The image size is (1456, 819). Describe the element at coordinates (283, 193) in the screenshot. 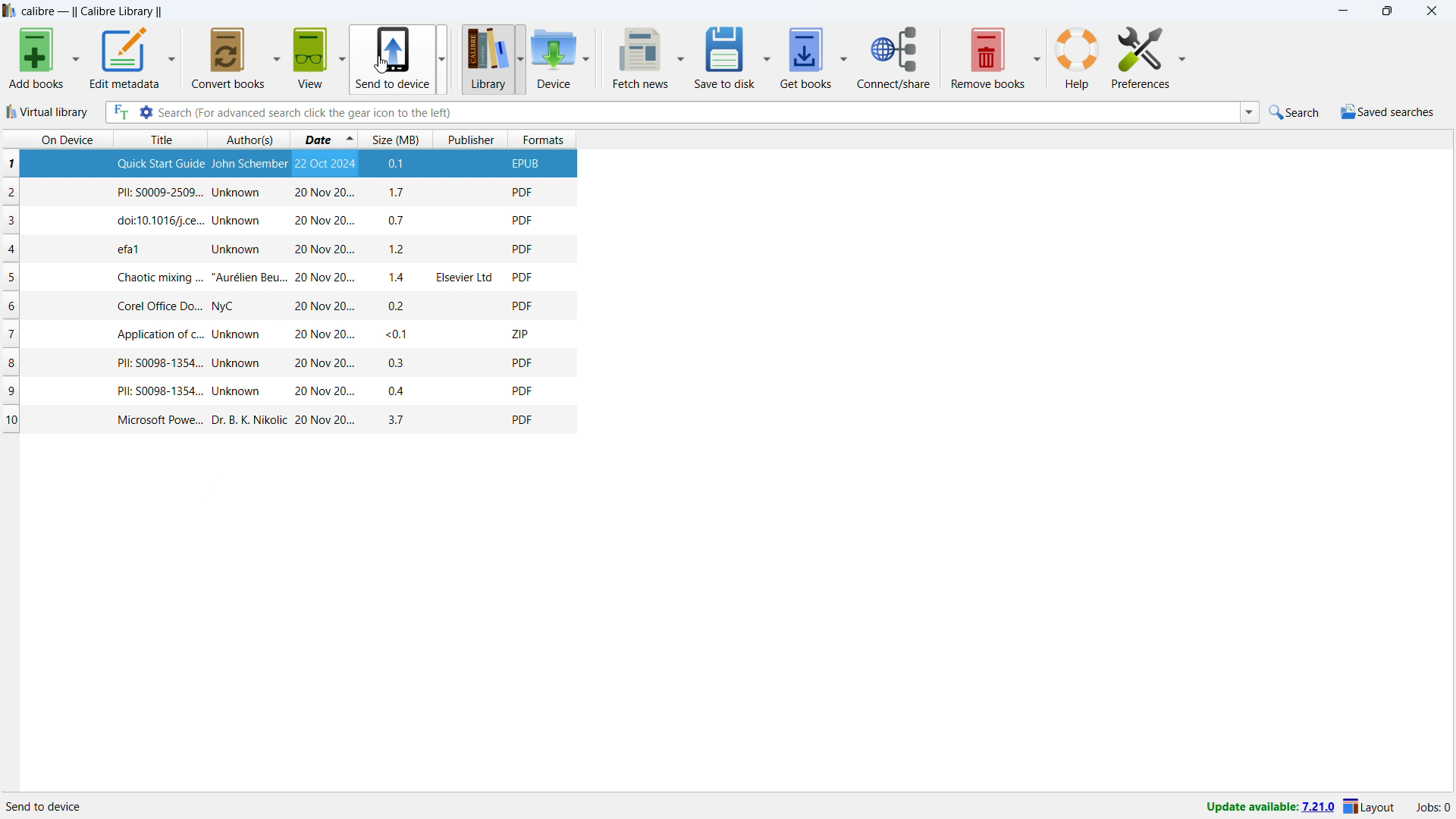

I see `one book entry` at that location.